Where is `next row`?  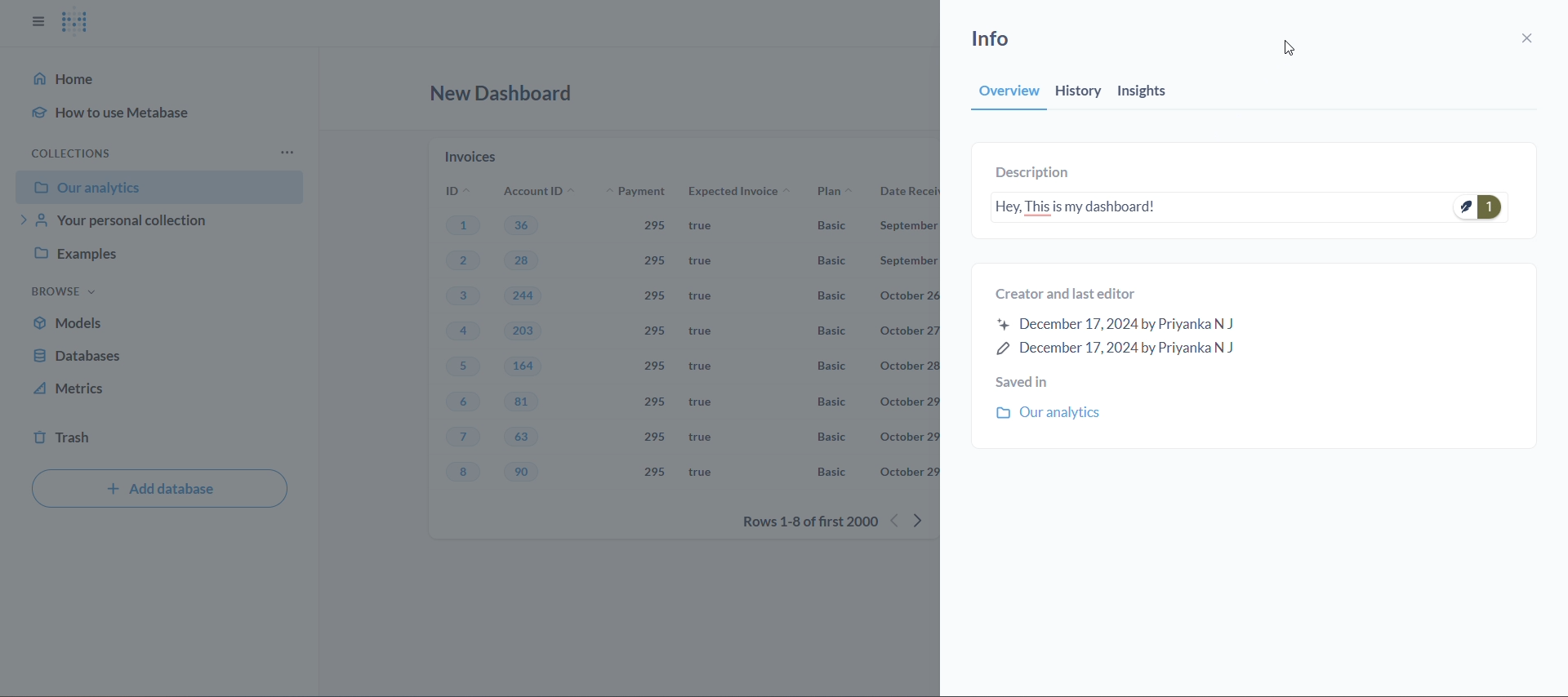 next row is located at coordinates (928, 518).